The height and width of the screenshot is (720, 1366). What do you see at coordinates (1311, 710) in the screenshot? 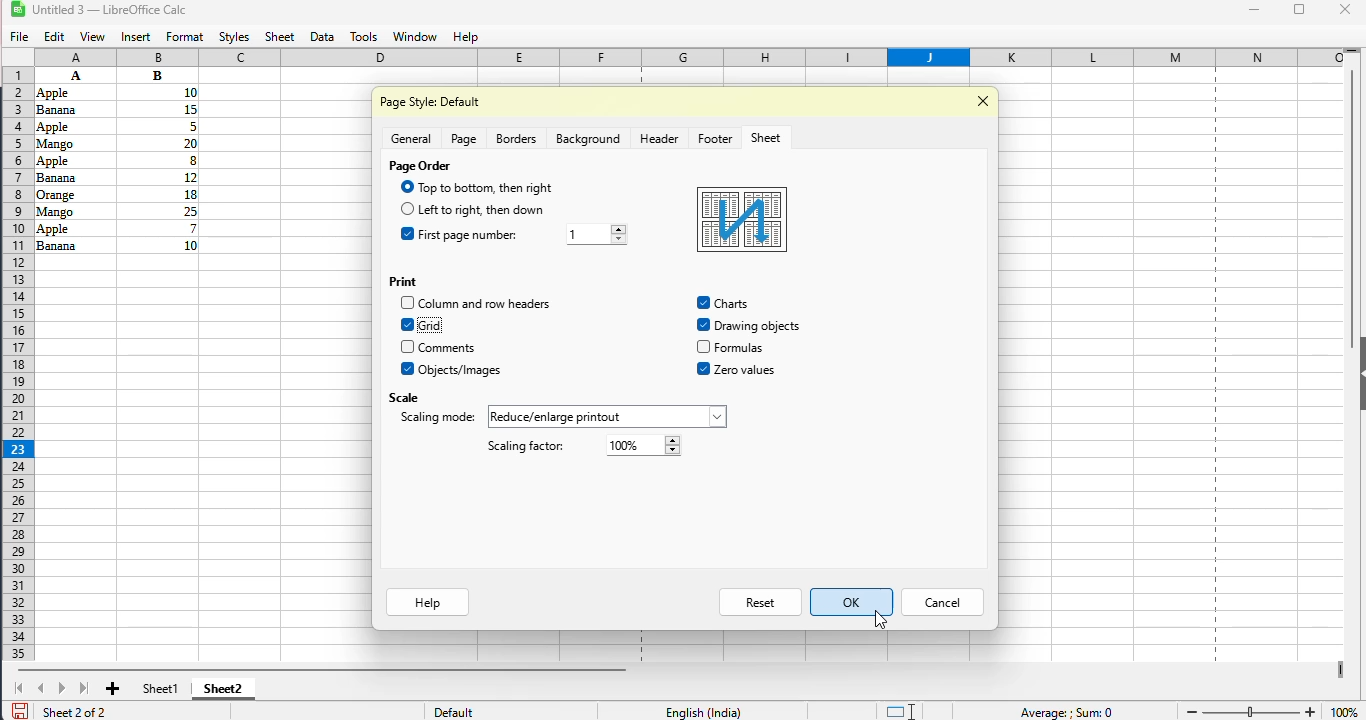
I see `zoom in` at bounding box center [1311, 710].